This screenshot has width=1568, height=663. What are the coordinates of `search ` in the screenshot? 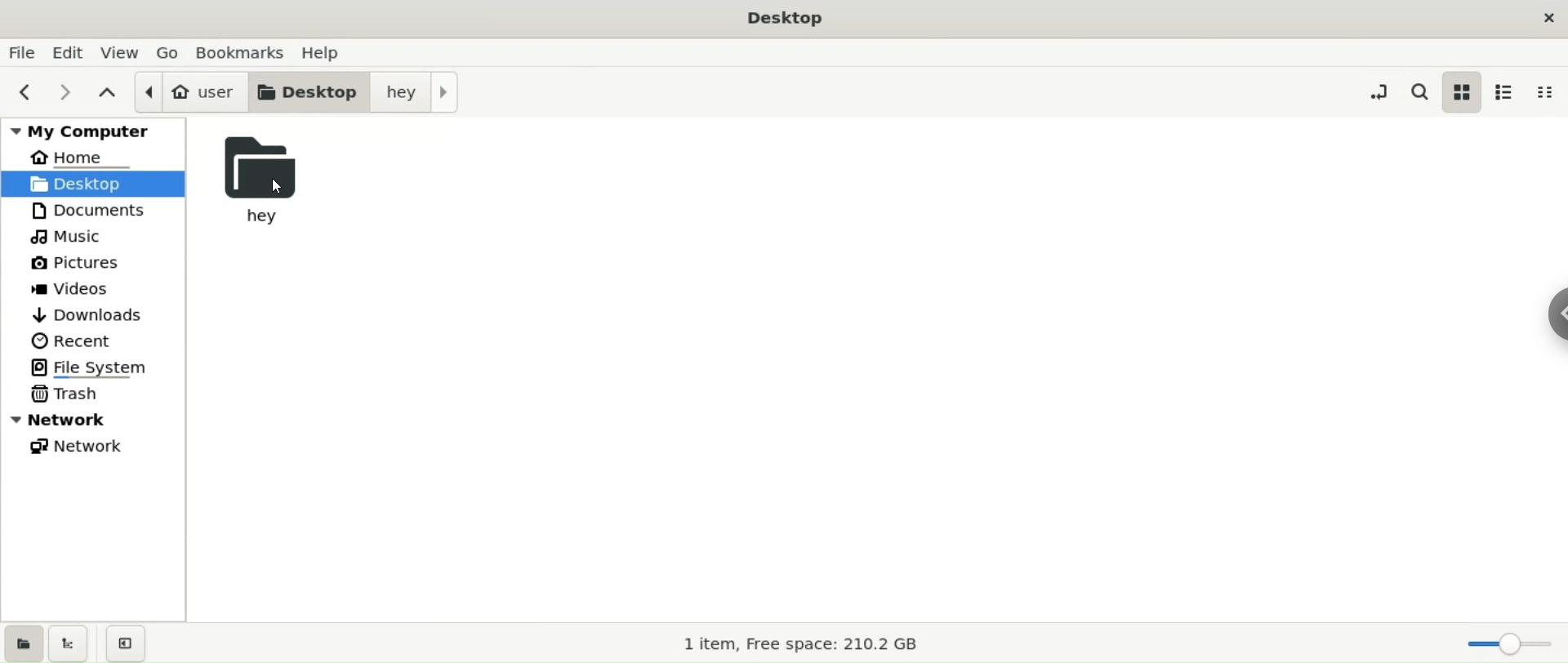 It's located at (1424, 92).